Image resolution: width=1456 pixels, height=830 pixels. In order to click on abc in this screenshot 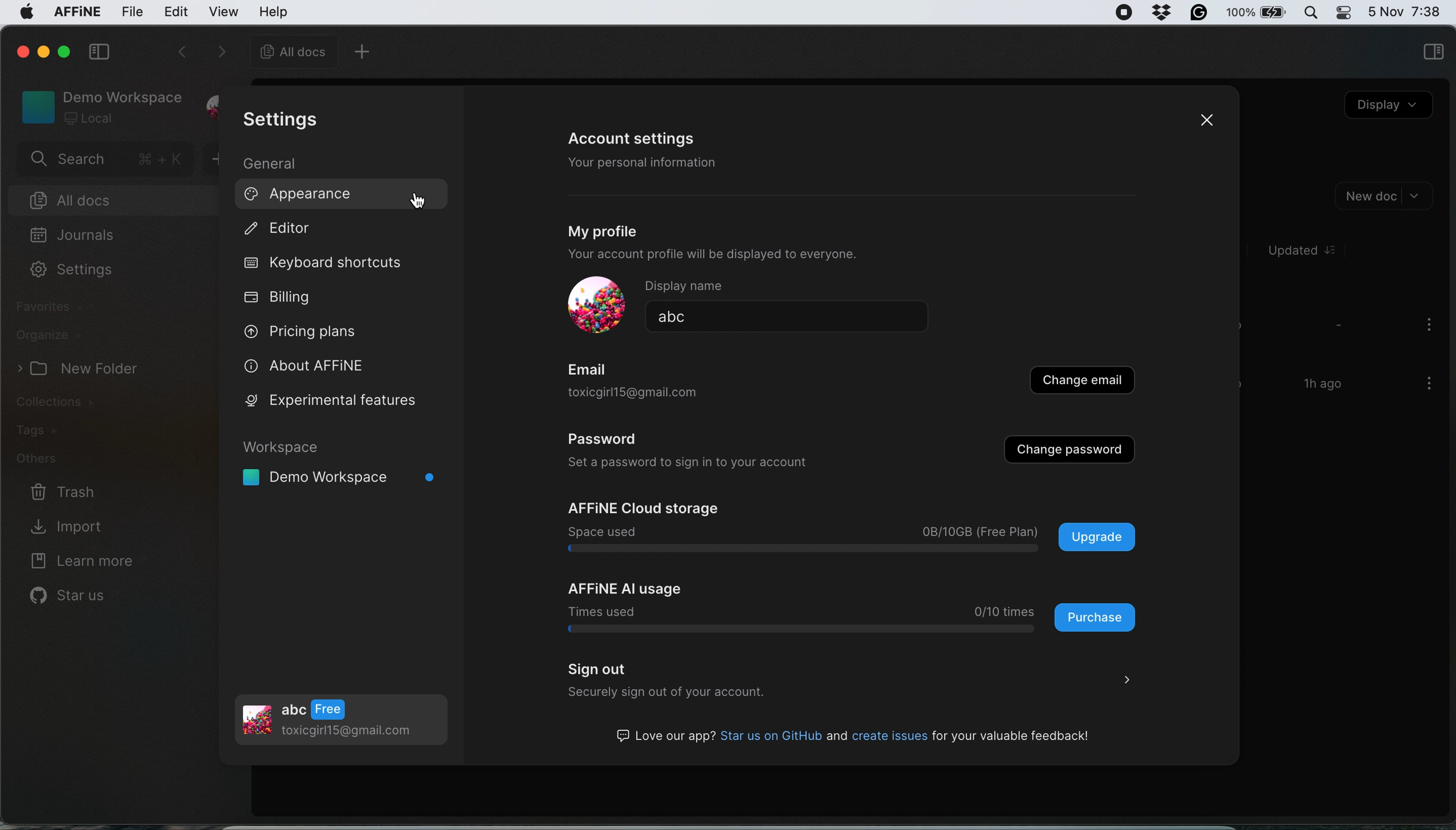, I will do `click(772, 316)`.